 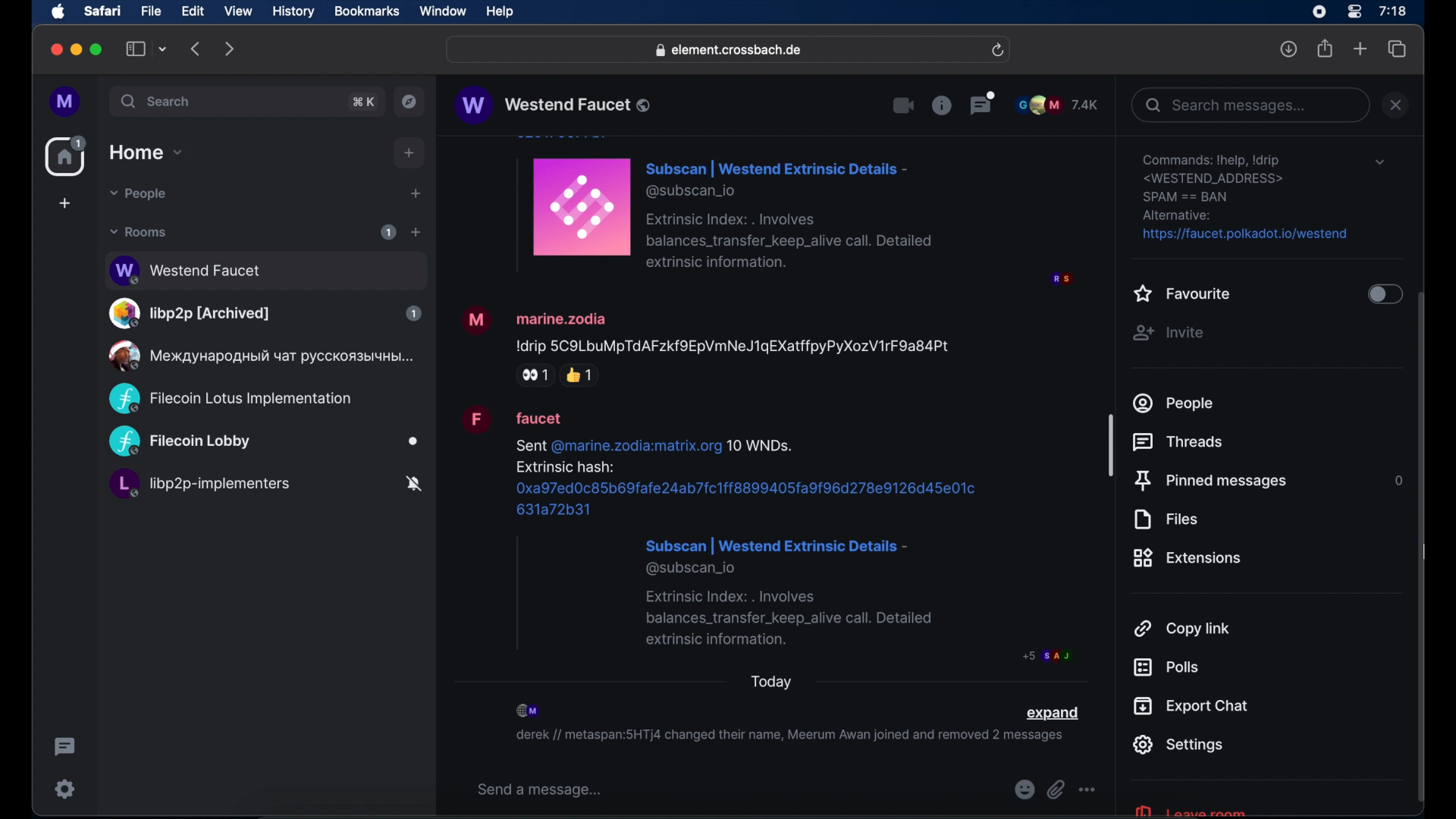 I want to click on room notification, so click(x=789, y=738).